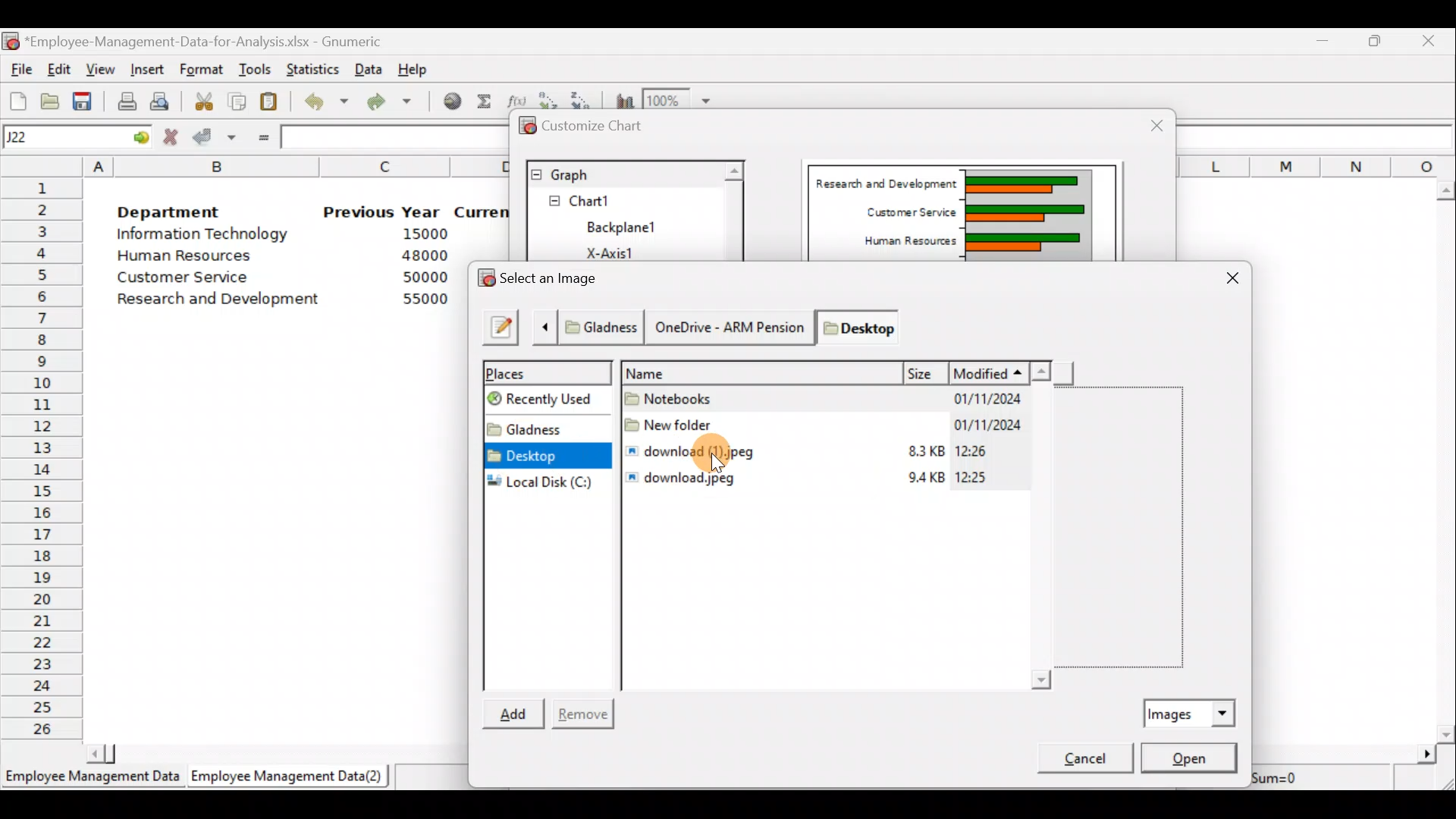  Describe the element at coordinates (1025, 214) in the screenshot. I see `Chart Preview` at that location.